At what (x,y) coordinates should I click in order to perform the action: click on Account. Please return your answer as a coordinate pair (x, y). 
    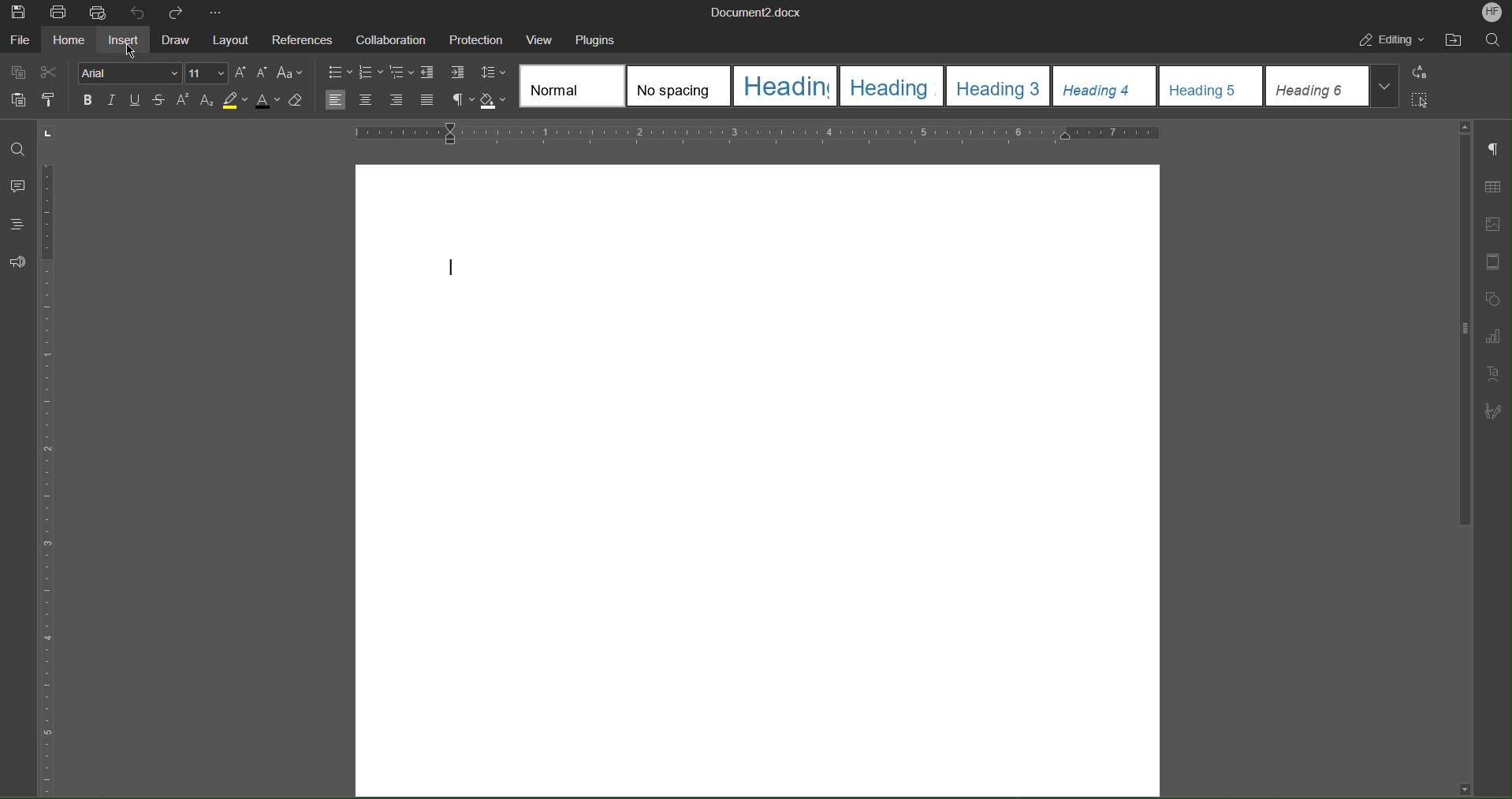
    Looking at the image, I should click on (1492, 13).